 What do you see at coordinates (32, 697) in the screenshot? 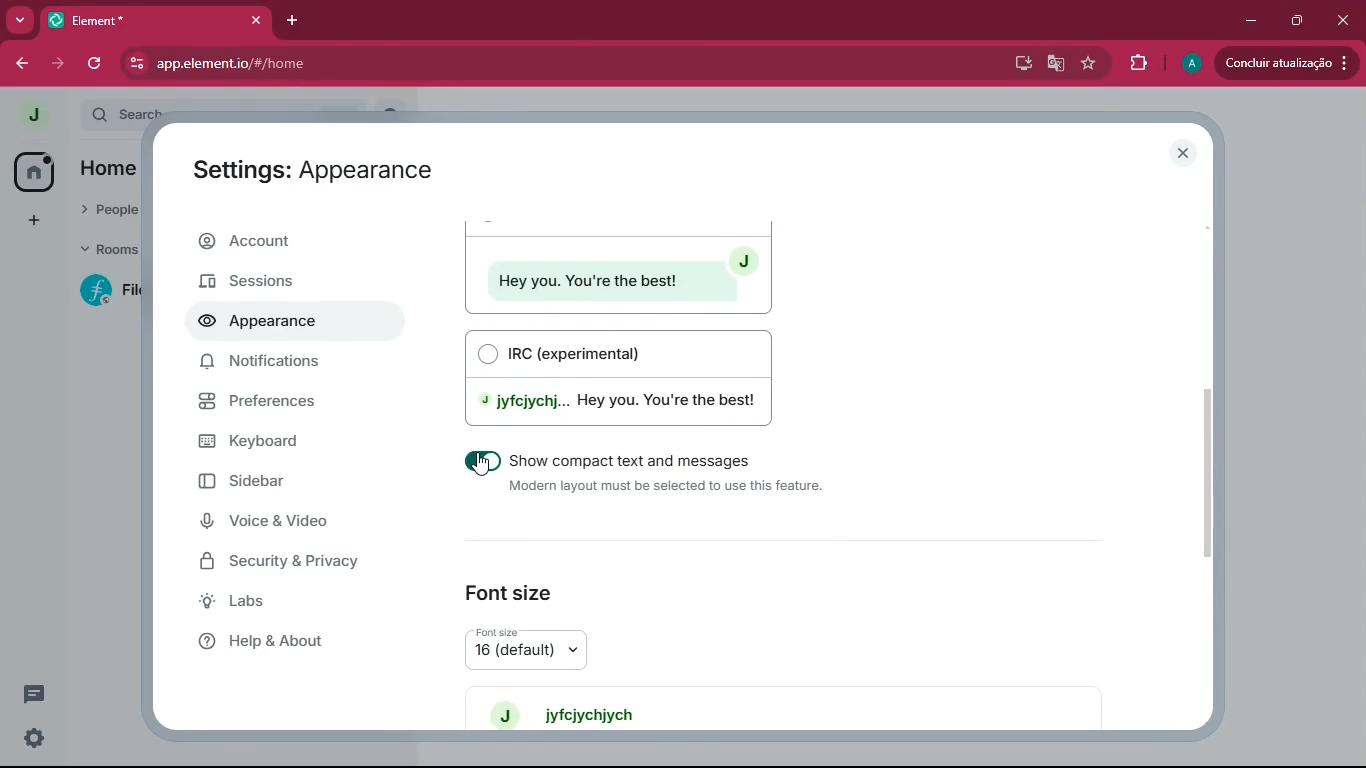
I see `message` at bounding box center [32, 697].